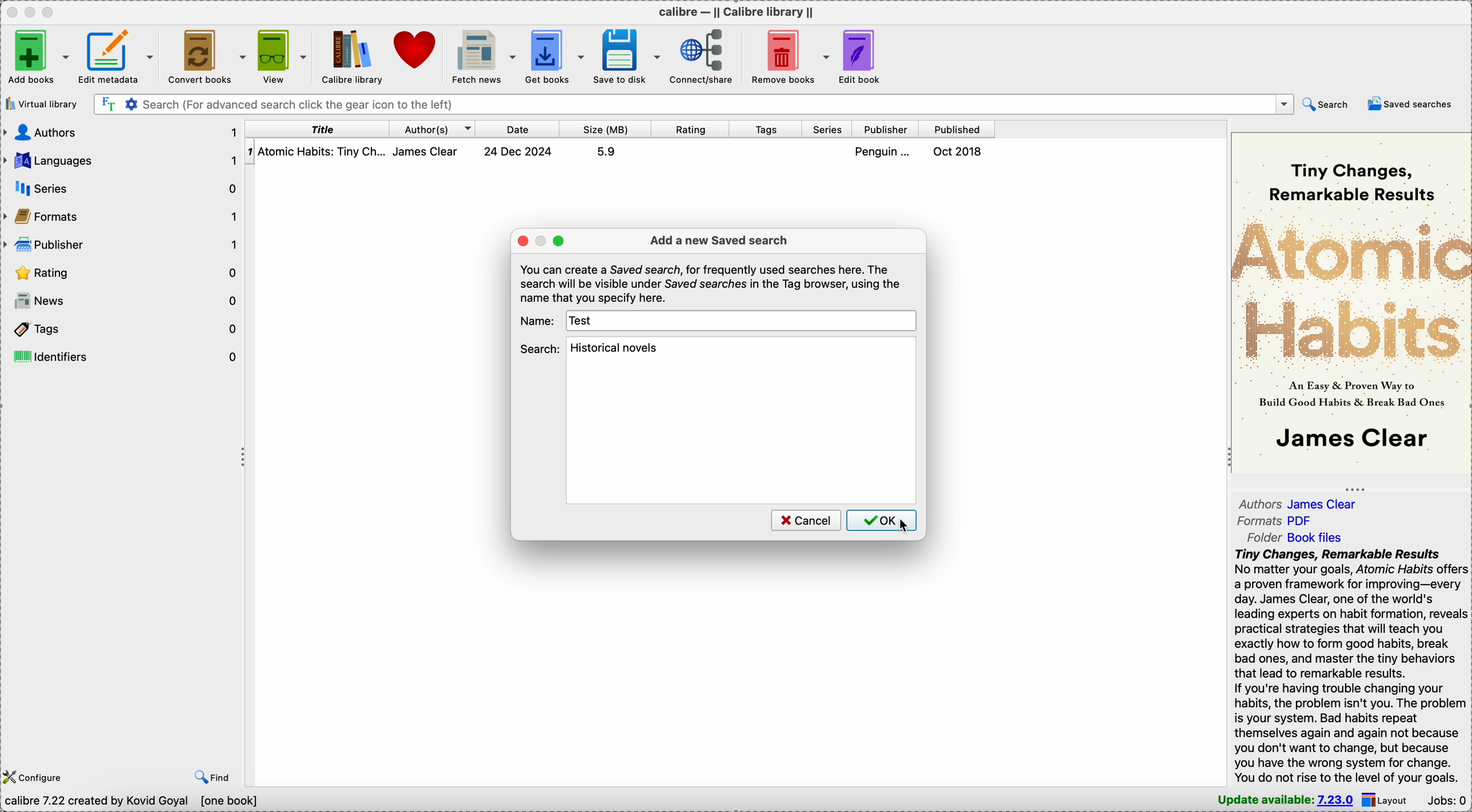  Describe the element at coordinates (606, 151) in the screenshot. I see `5.9` at that location.